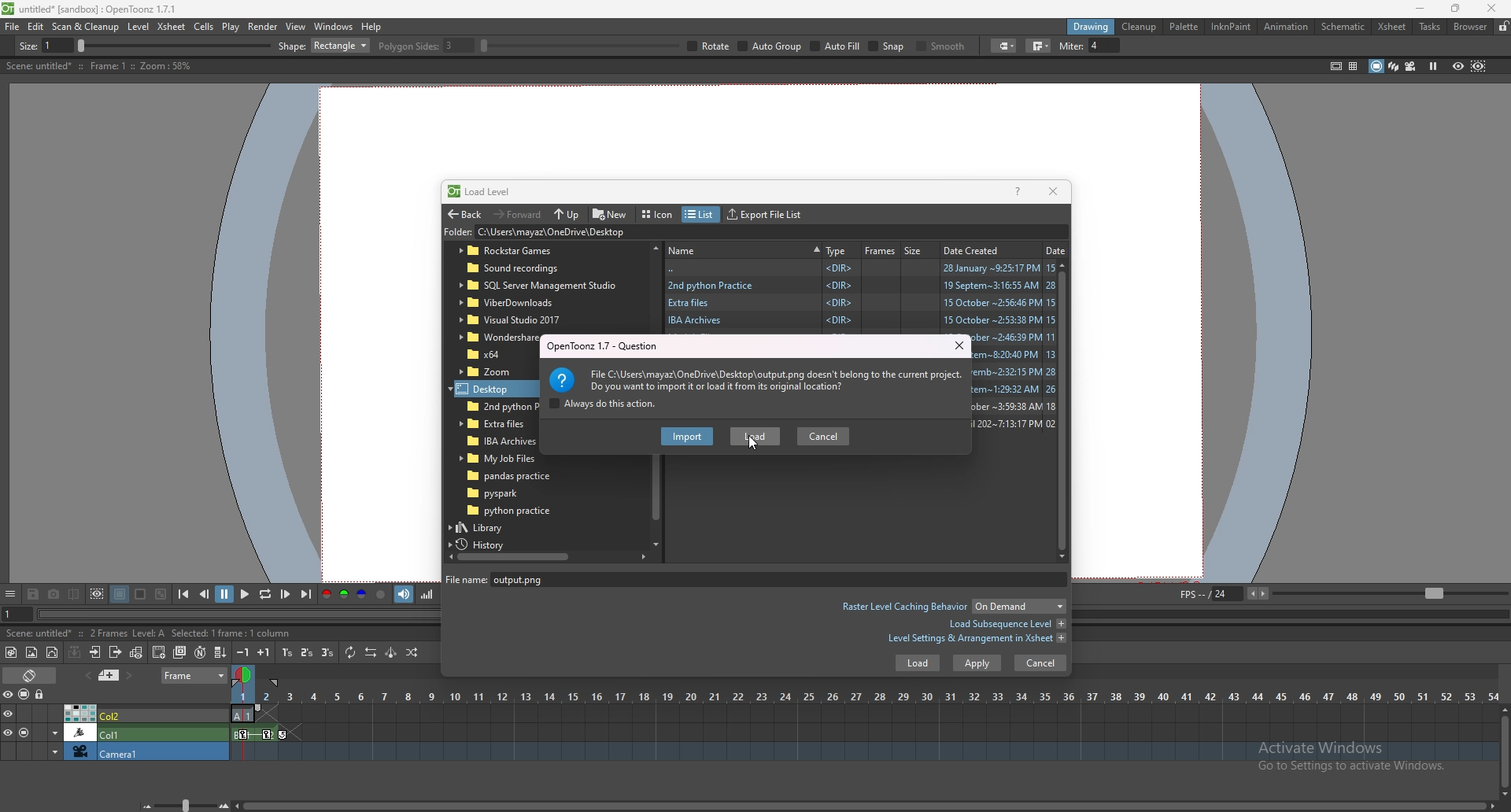  What do you see at coordinates (13, 26) in the screenshot?
I see `file` at bounding box center [13, 26].